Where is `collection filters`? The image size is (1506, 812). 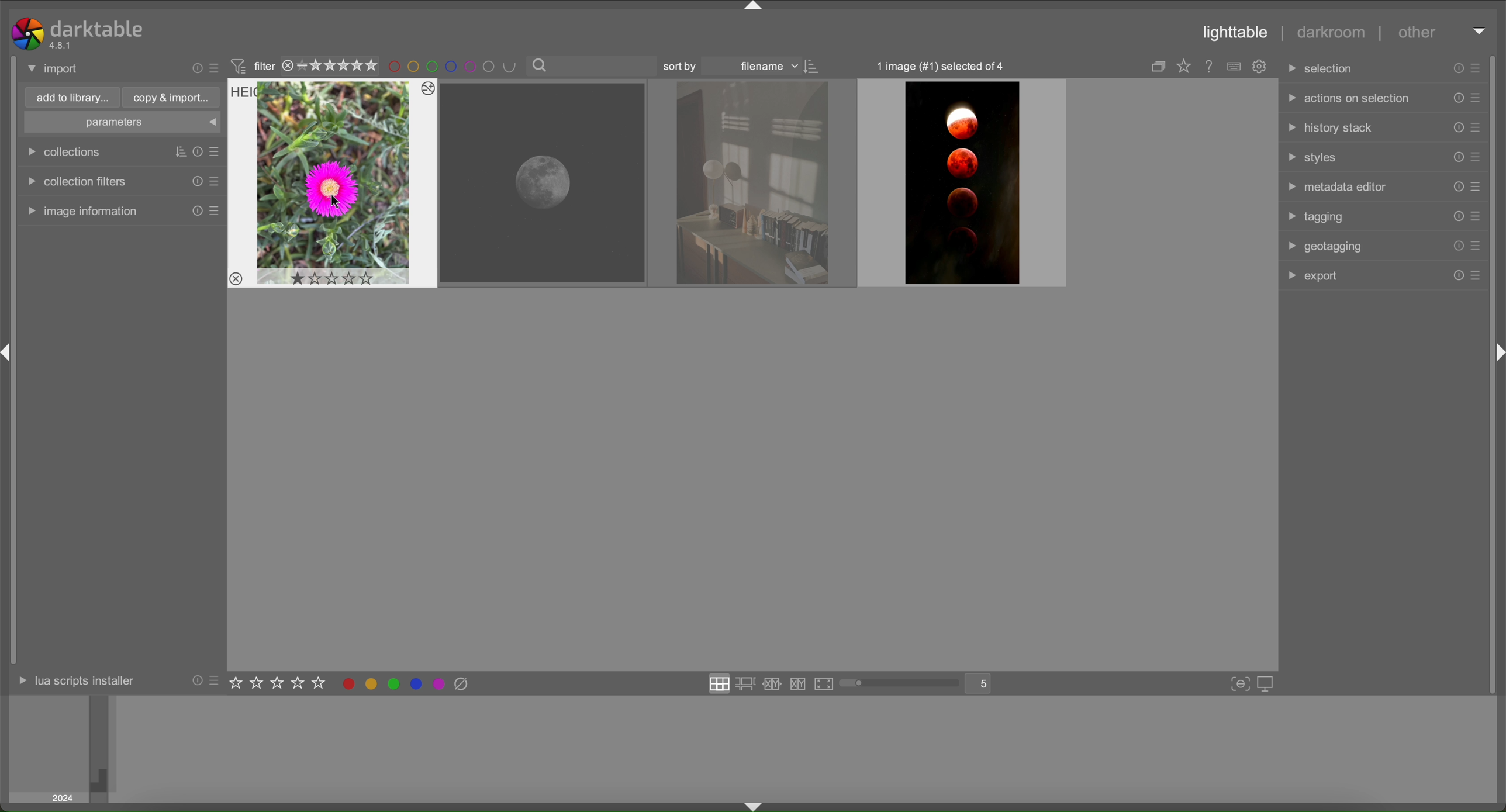
collection filters is located at coordinates (74, 182).